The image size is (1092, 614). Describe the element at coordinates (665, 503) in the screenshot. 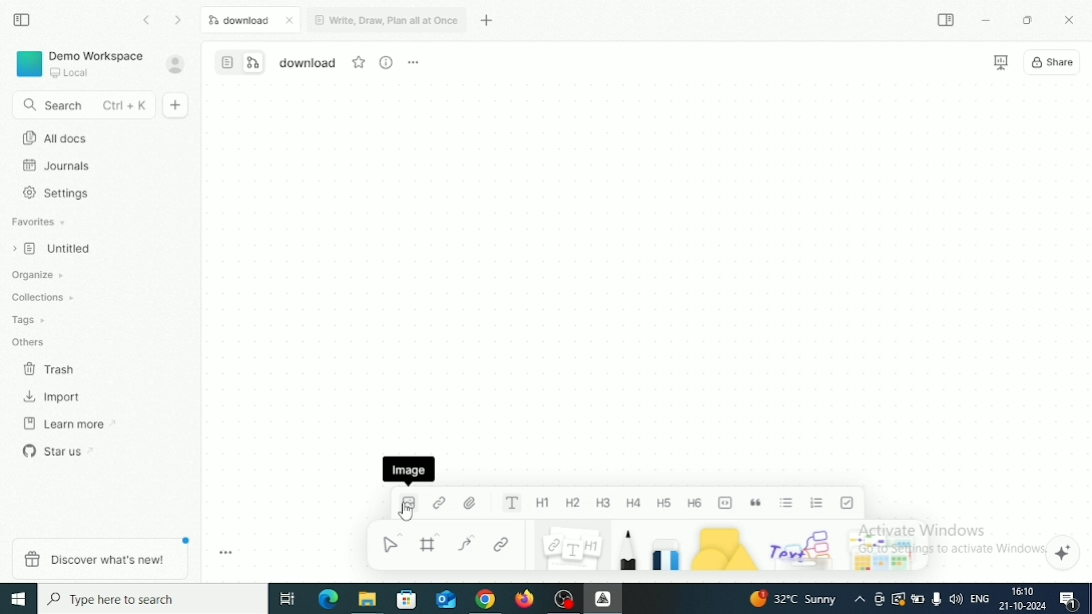

I see `Heading 5` at that location.